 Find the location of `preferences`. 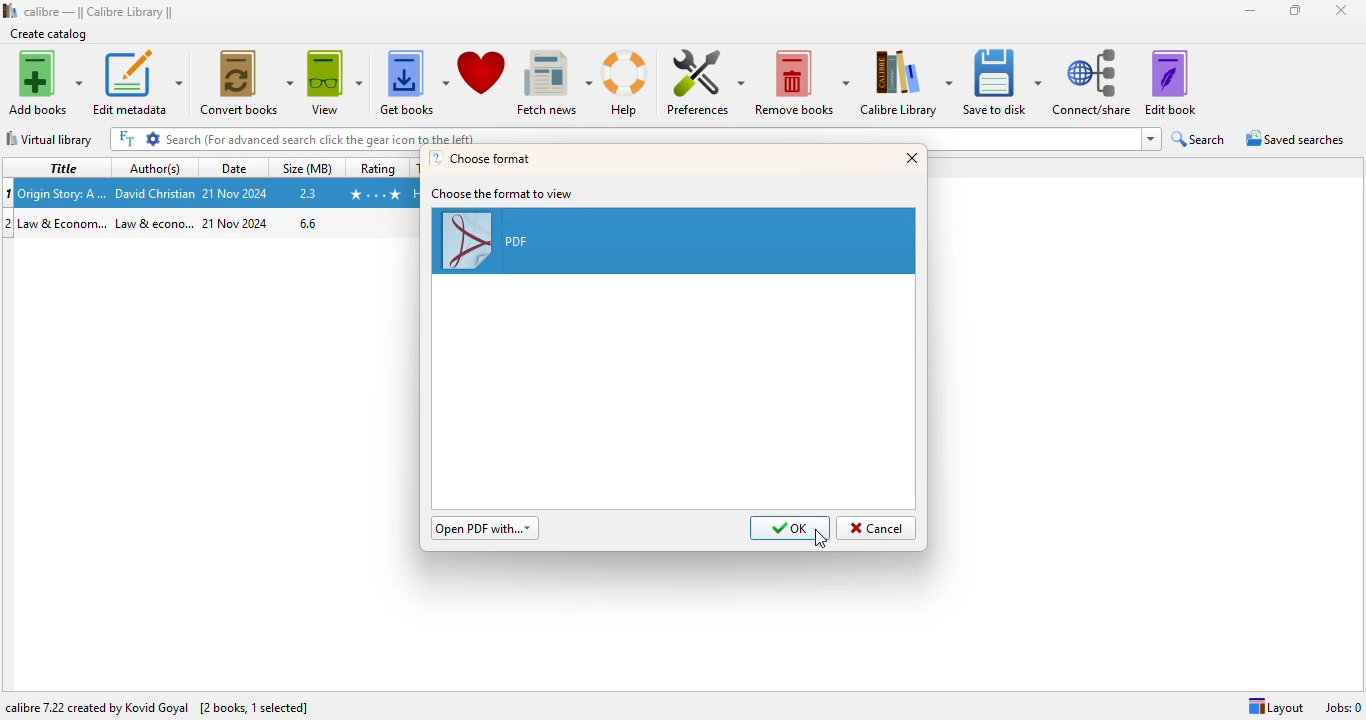

preferences is located at coordinates (703, 82).